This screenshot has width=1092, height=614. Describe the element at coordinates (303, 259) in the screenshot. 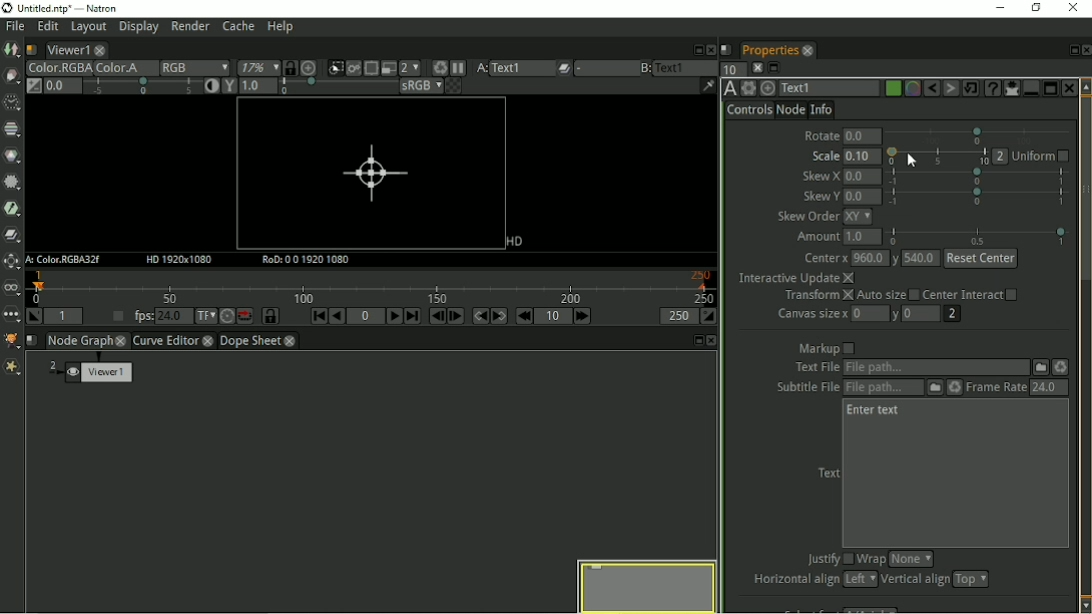

I see `RoD` at that location.